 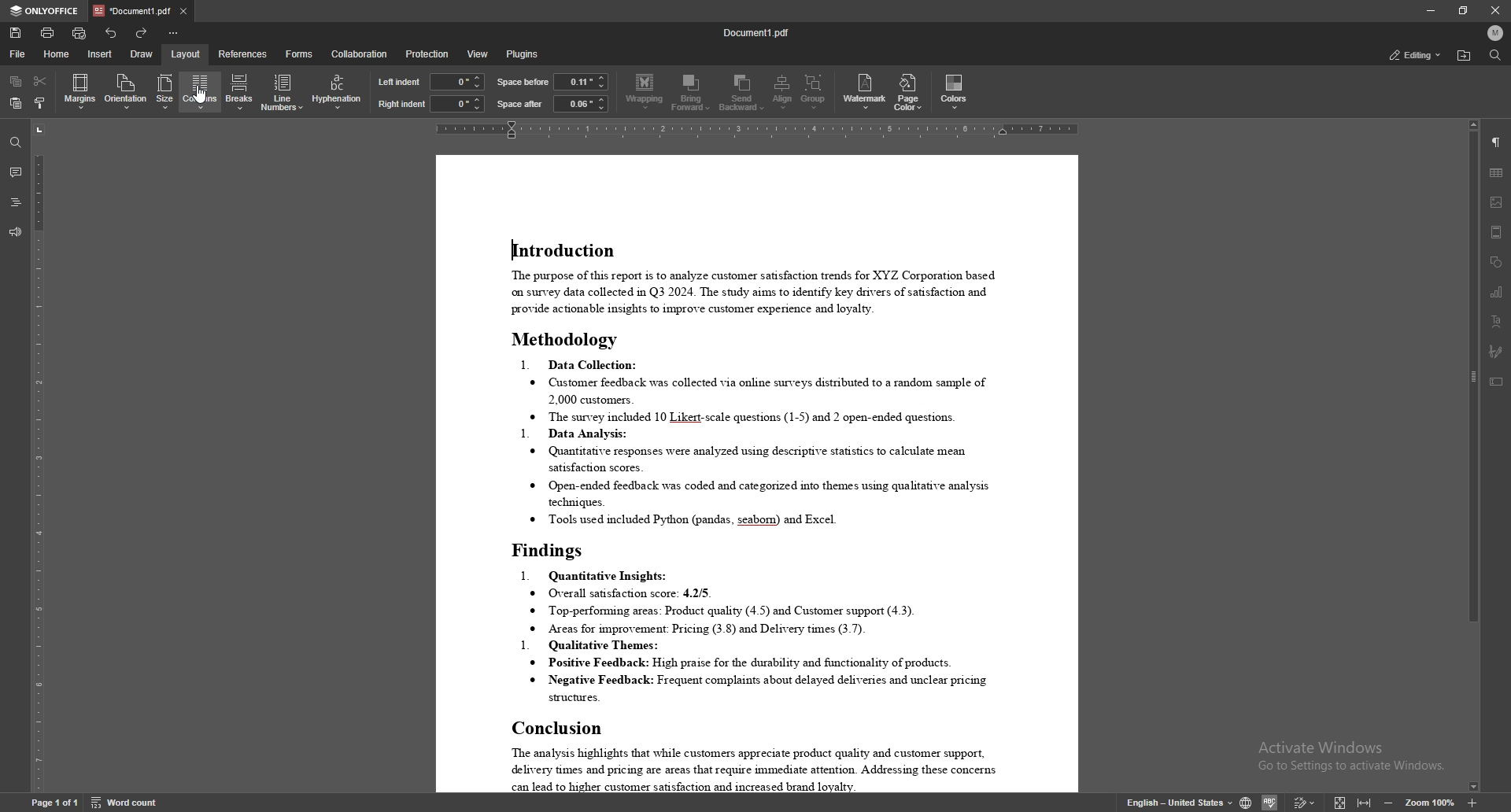 I want to click on draw, so click(x=143, y=54).